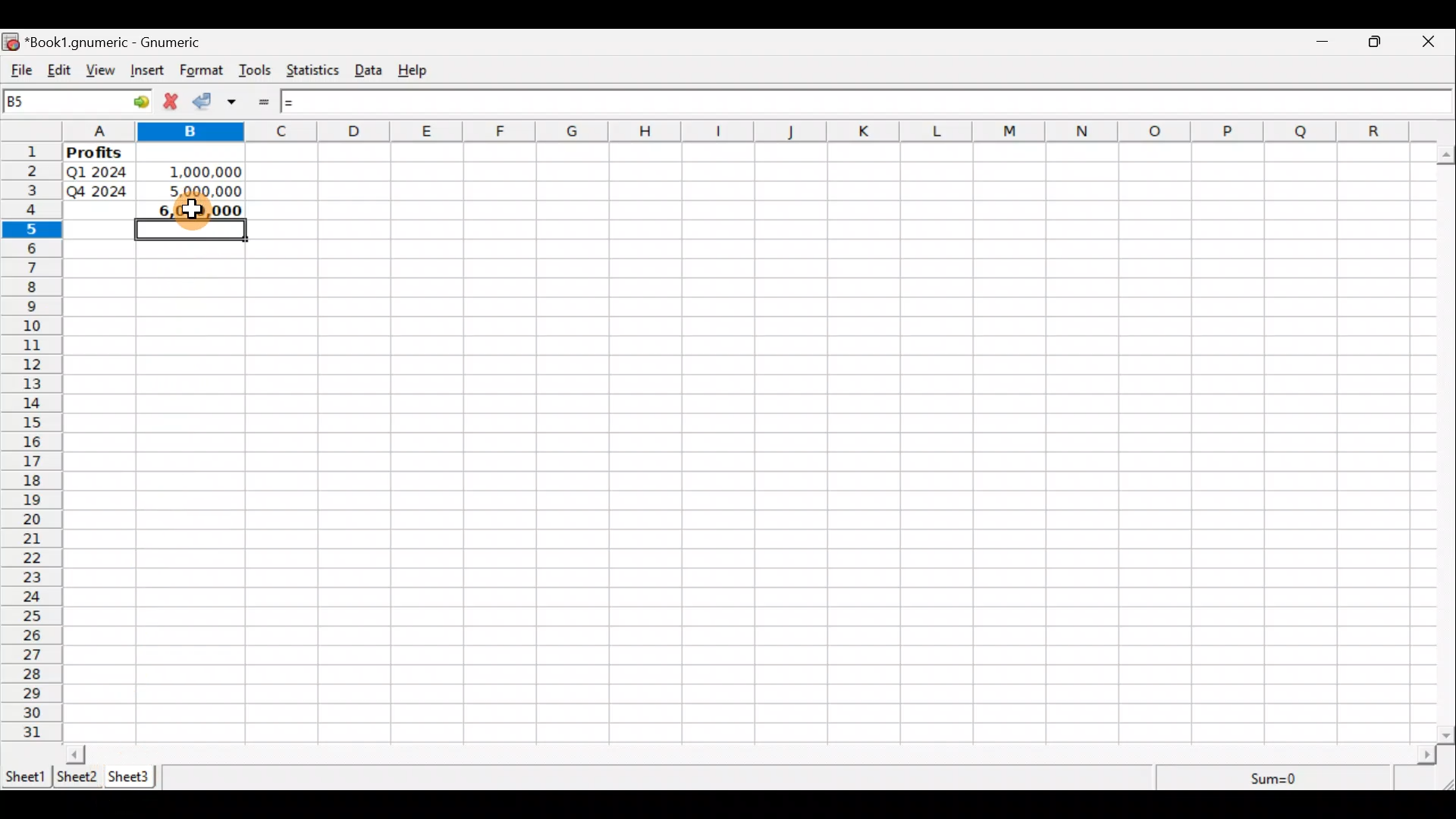 This screenshot has height=819, width=1456. What do you see at coordinates (96, 171) in the screenshot?
I see `Q1 2024` at bounding box center [96, 171].